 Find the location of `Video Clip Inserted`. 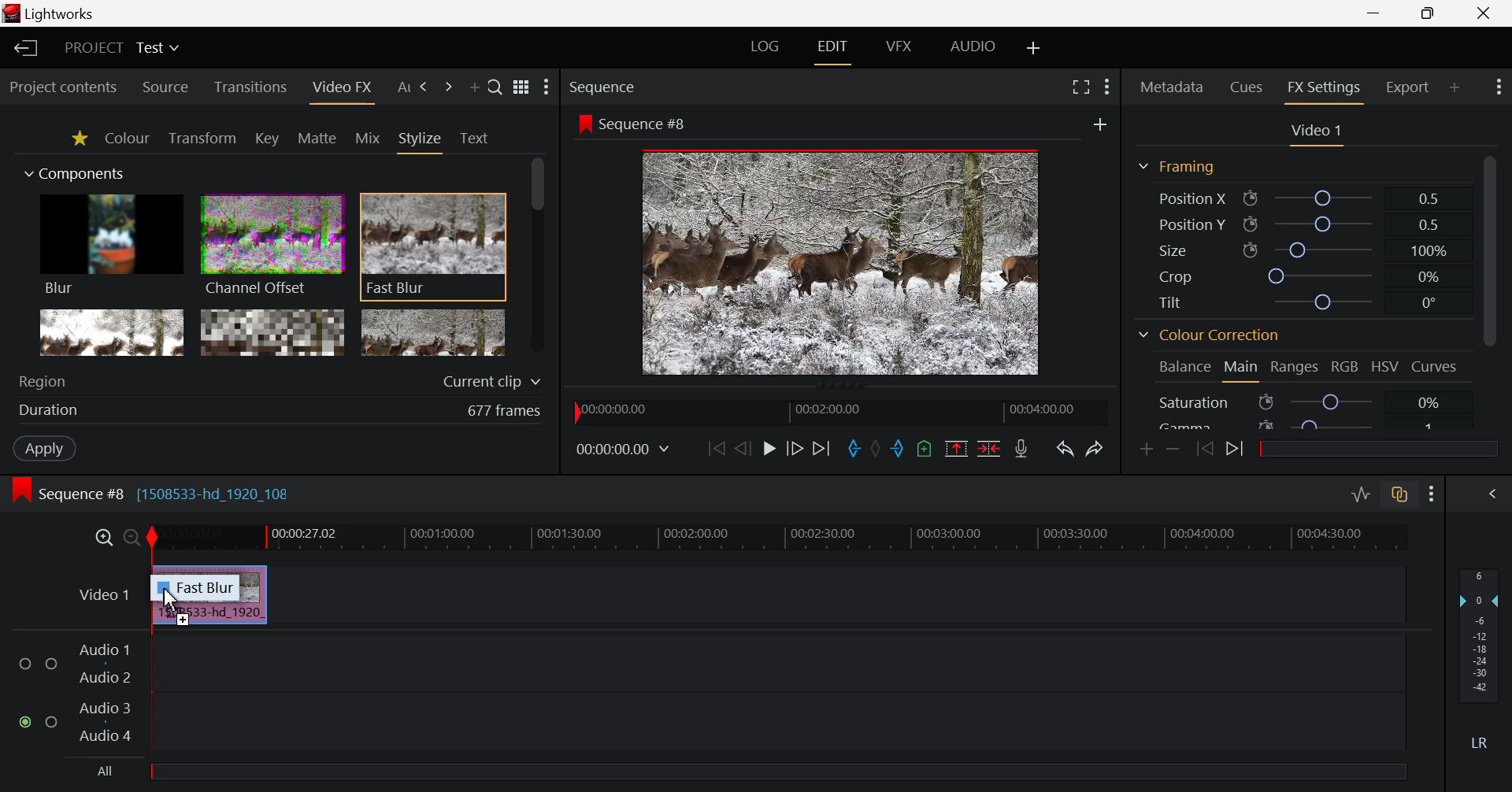

Video Clip Inserted is located at coordinates (209, 616).